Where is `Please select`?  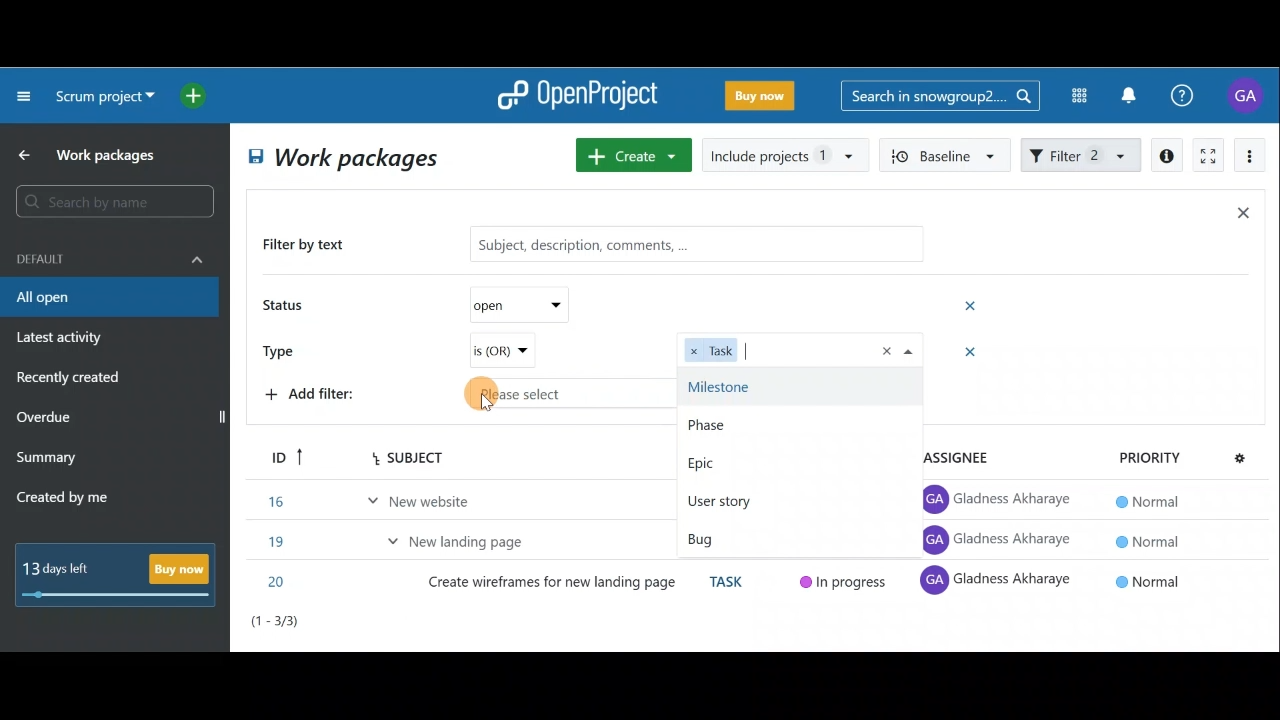
Please select is located at coordinates (695, 391).